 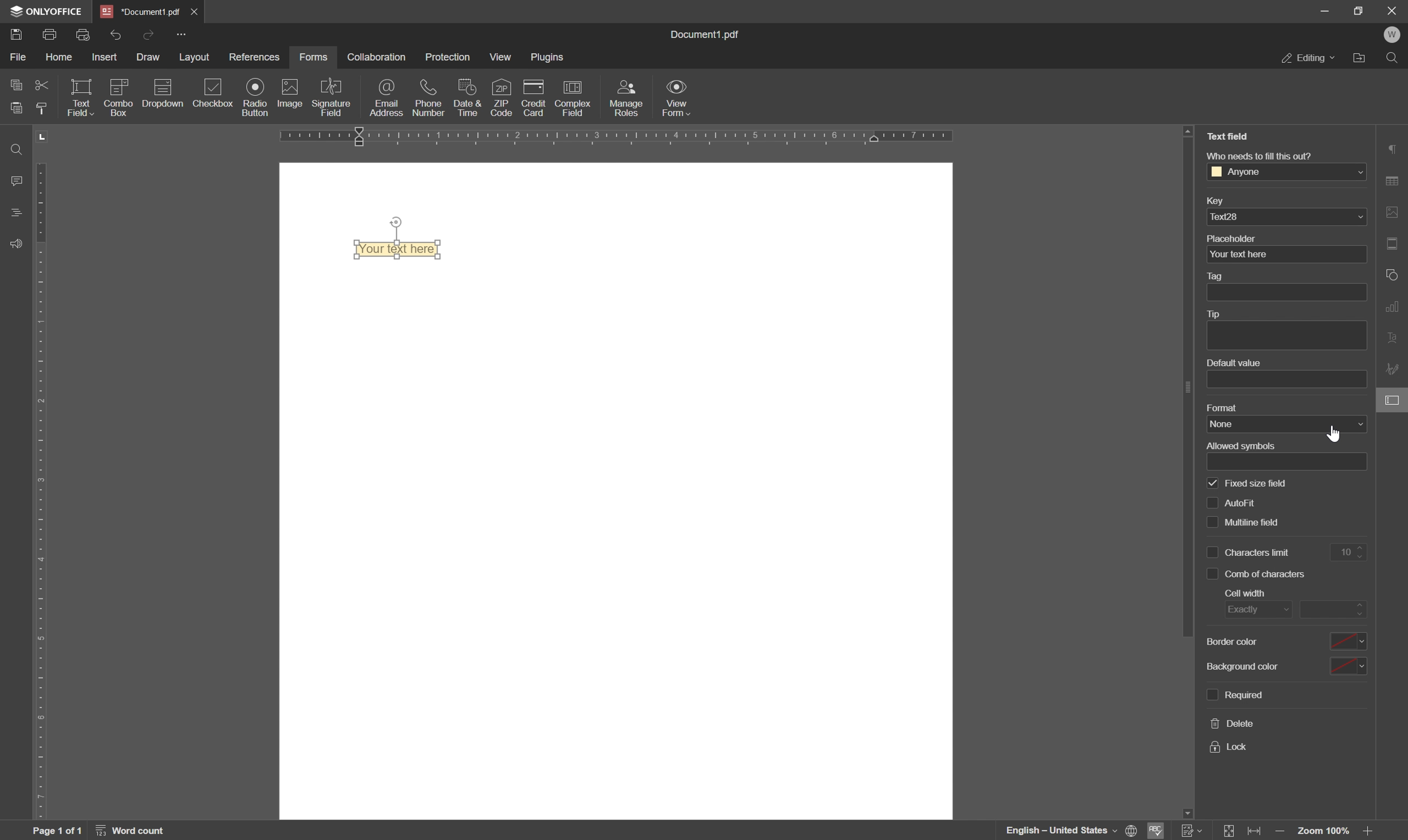 What do you see at coordinates (217, 91) in the screenshot?
I see `checkbox` at bounding box center [217, 91].